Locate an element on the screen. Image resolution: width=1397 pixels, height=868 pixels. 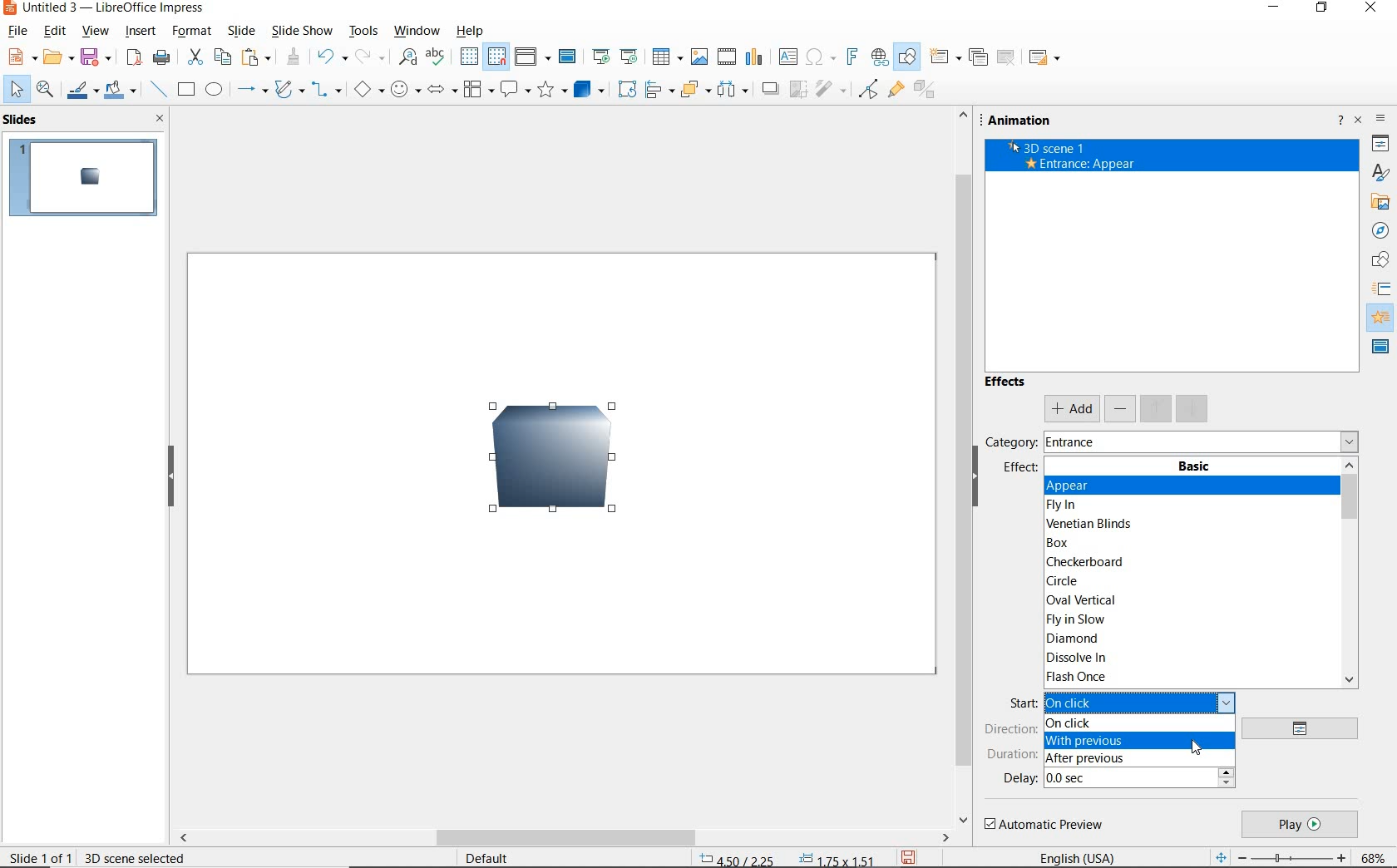
block arrows is located at coordinates (439, 92).